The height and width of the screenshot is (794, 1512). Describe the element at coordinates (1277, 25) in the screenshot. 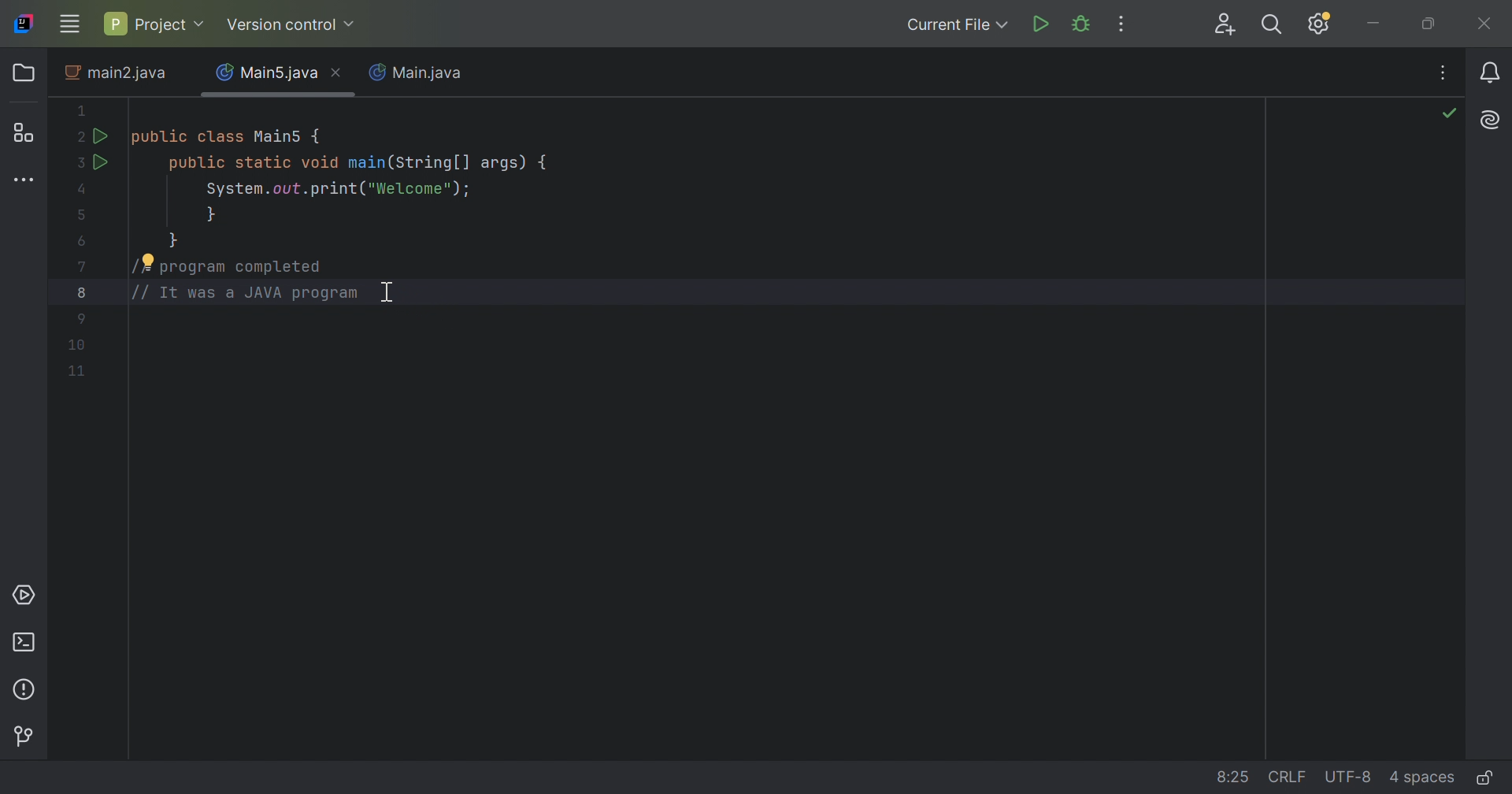

I see `Search` at that location.